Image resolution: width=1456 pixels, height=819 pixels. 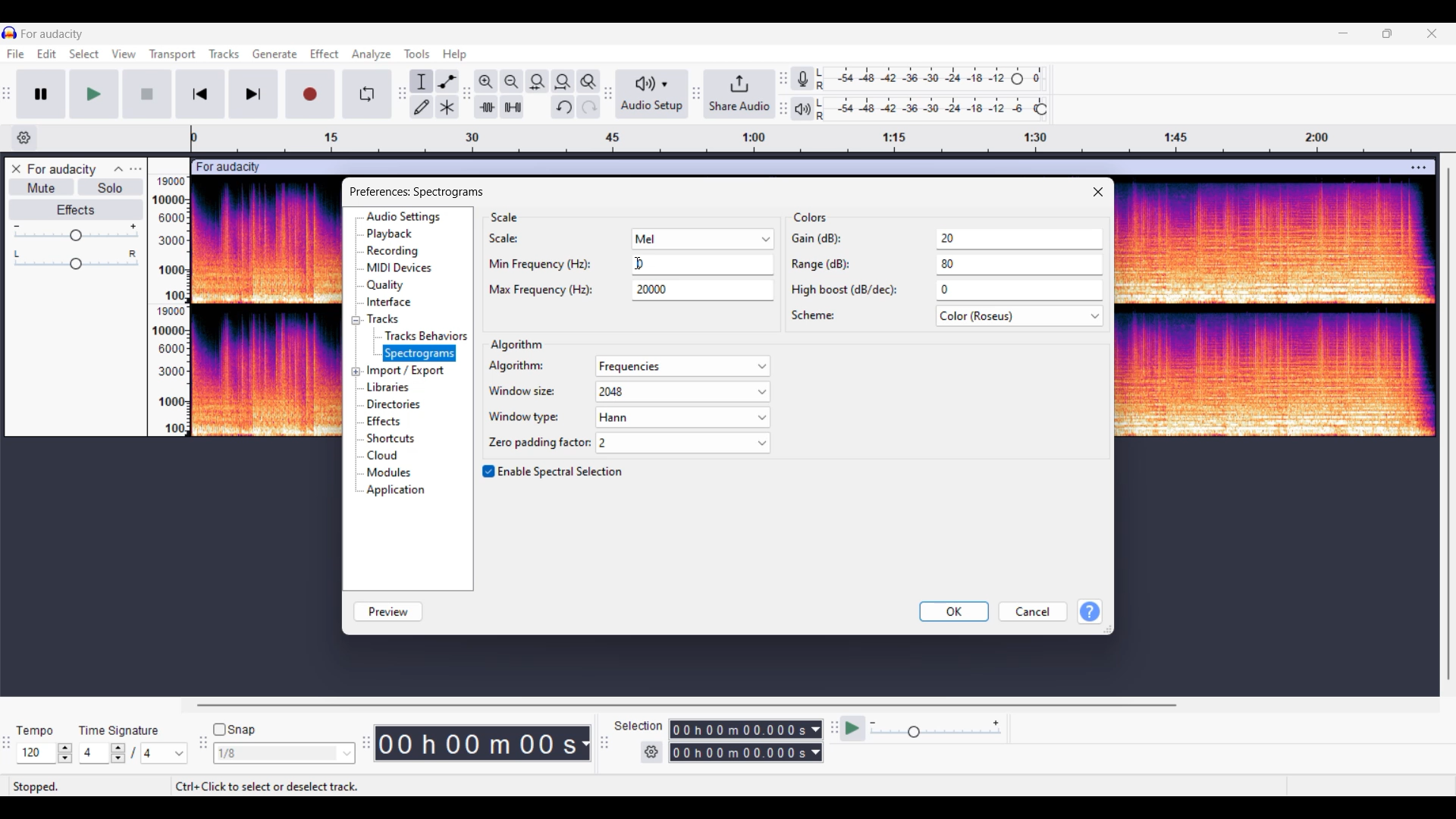 What do you see at coordinates (36, 731) in the screenshot?
I see `Indicates Tempo settings` at bounding box center [36, 731].